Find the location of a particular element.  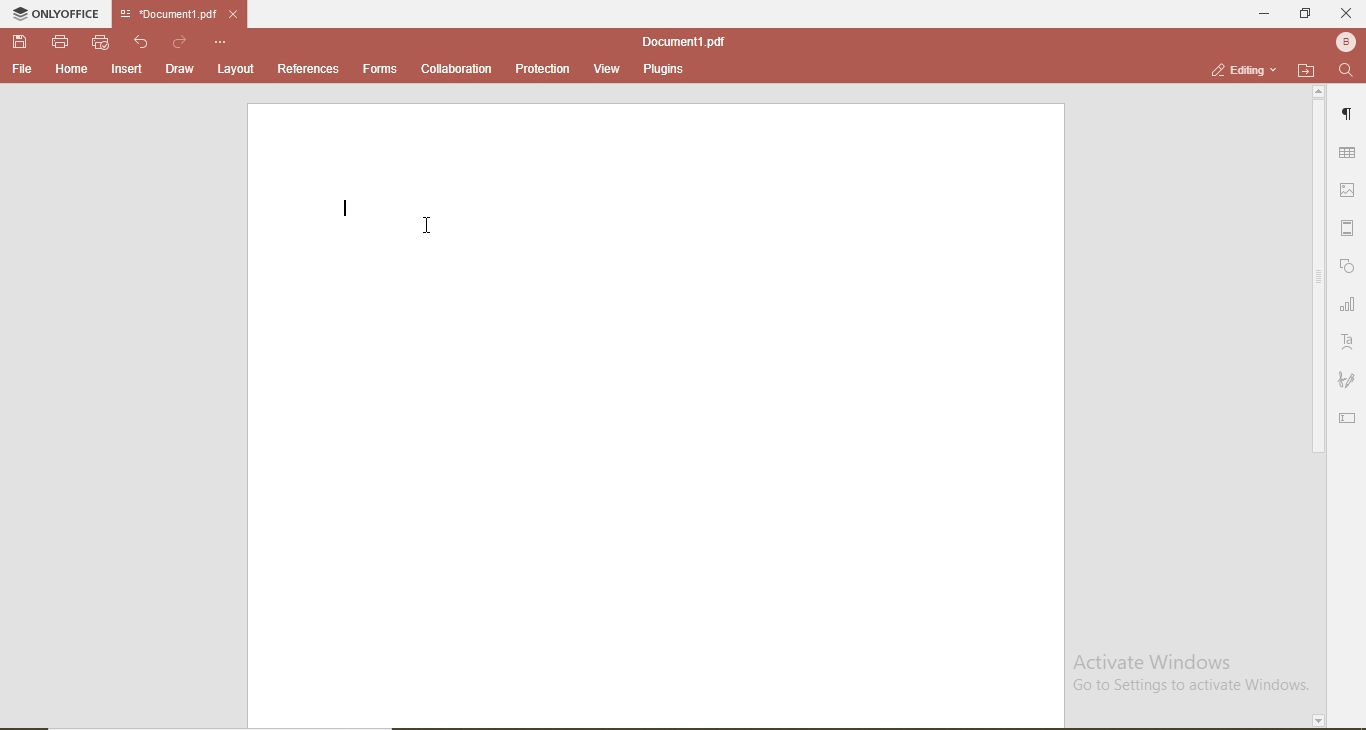

onlyoffice is located at coordinates (56, 13).